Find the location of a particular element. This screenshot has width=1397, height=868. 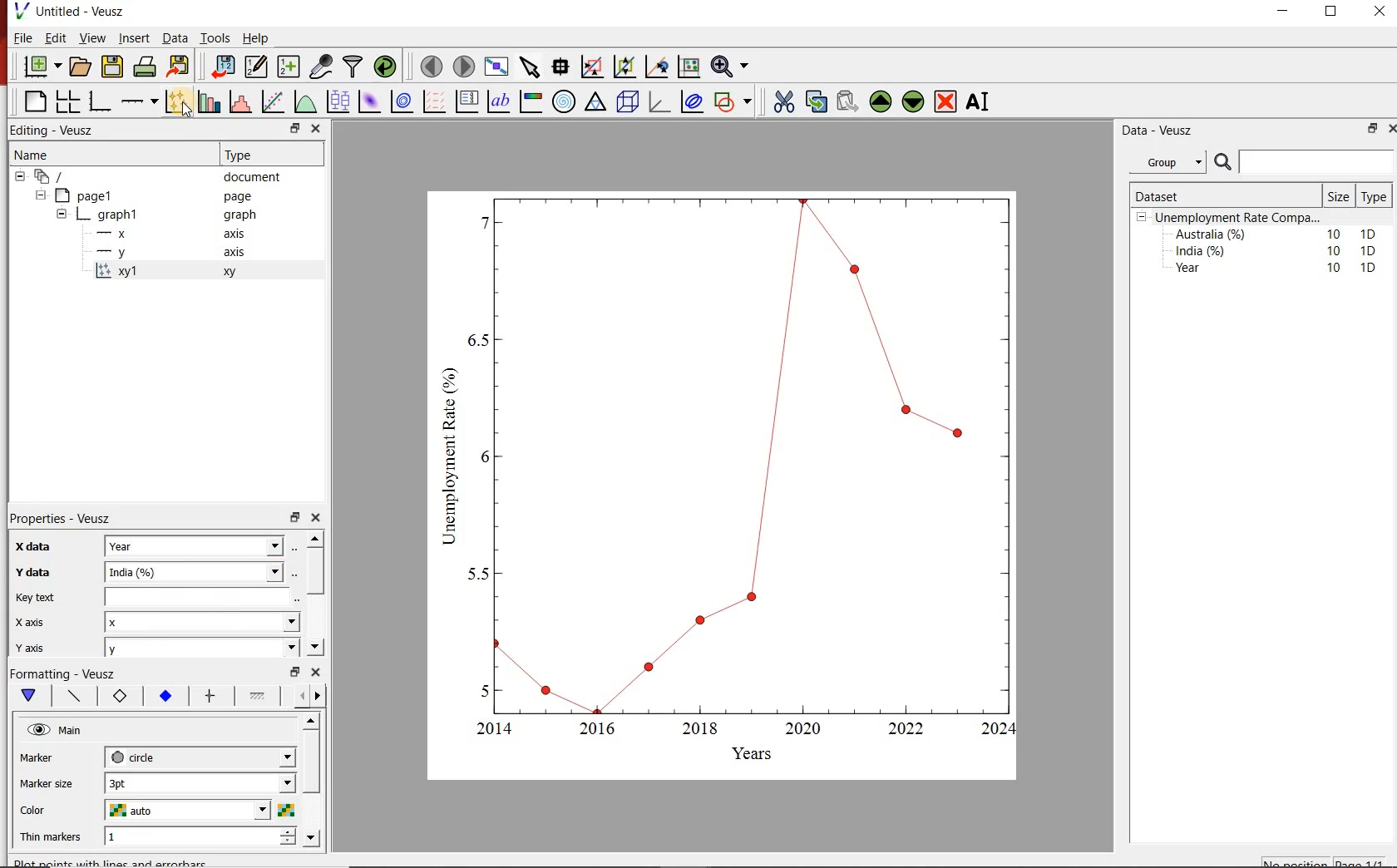

choose color is located at coordinates (285, 810).